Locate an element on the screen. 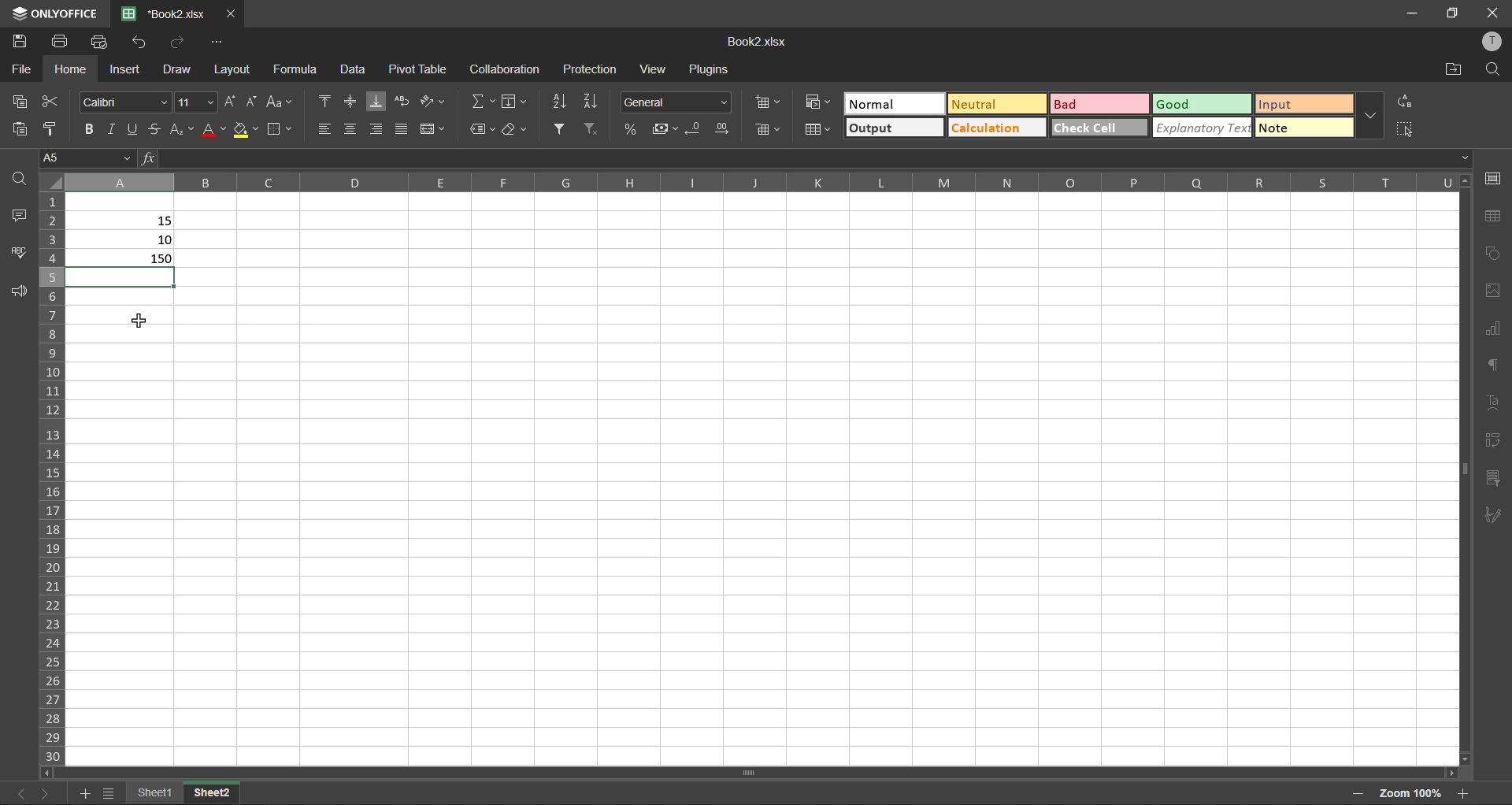 Image resolution: width=1512 pixels, height=805 pixels. cell settings is located at coordinates (1492, 177).